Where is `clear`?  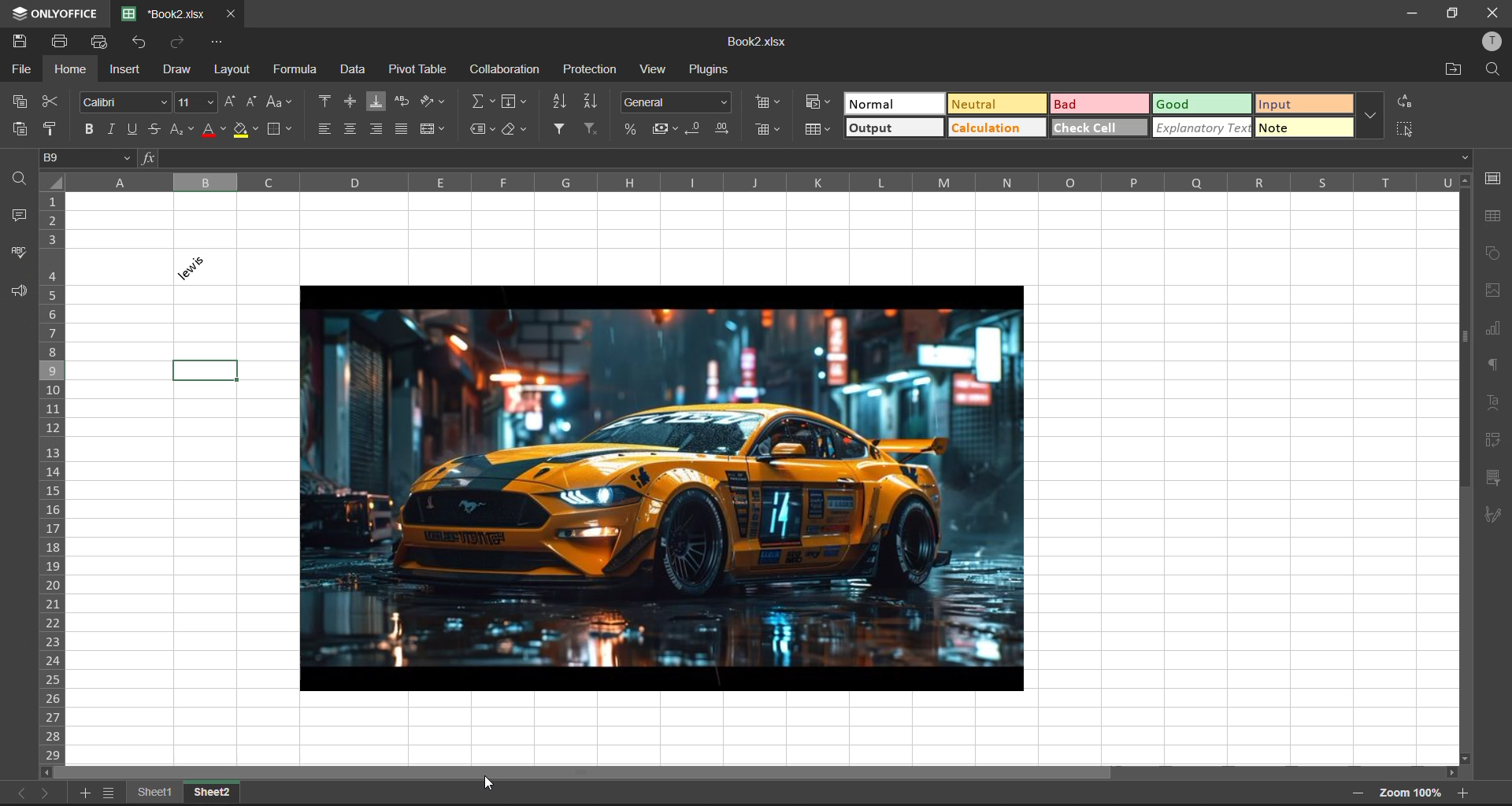 clear is located at coordinates (518, 131).